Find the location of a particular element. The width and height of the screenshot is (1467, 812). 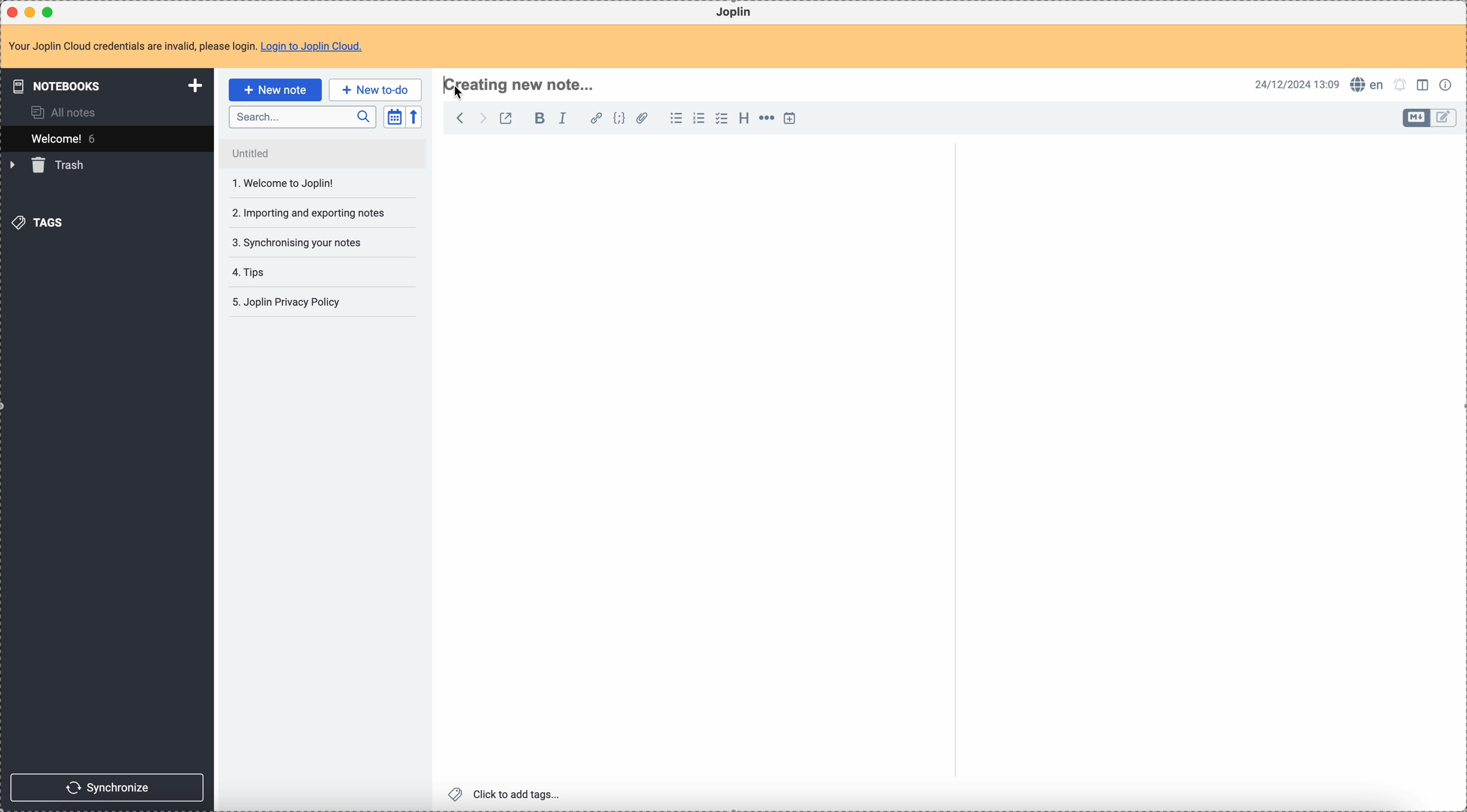

horizontal rule is located at coordinates (765, 120).